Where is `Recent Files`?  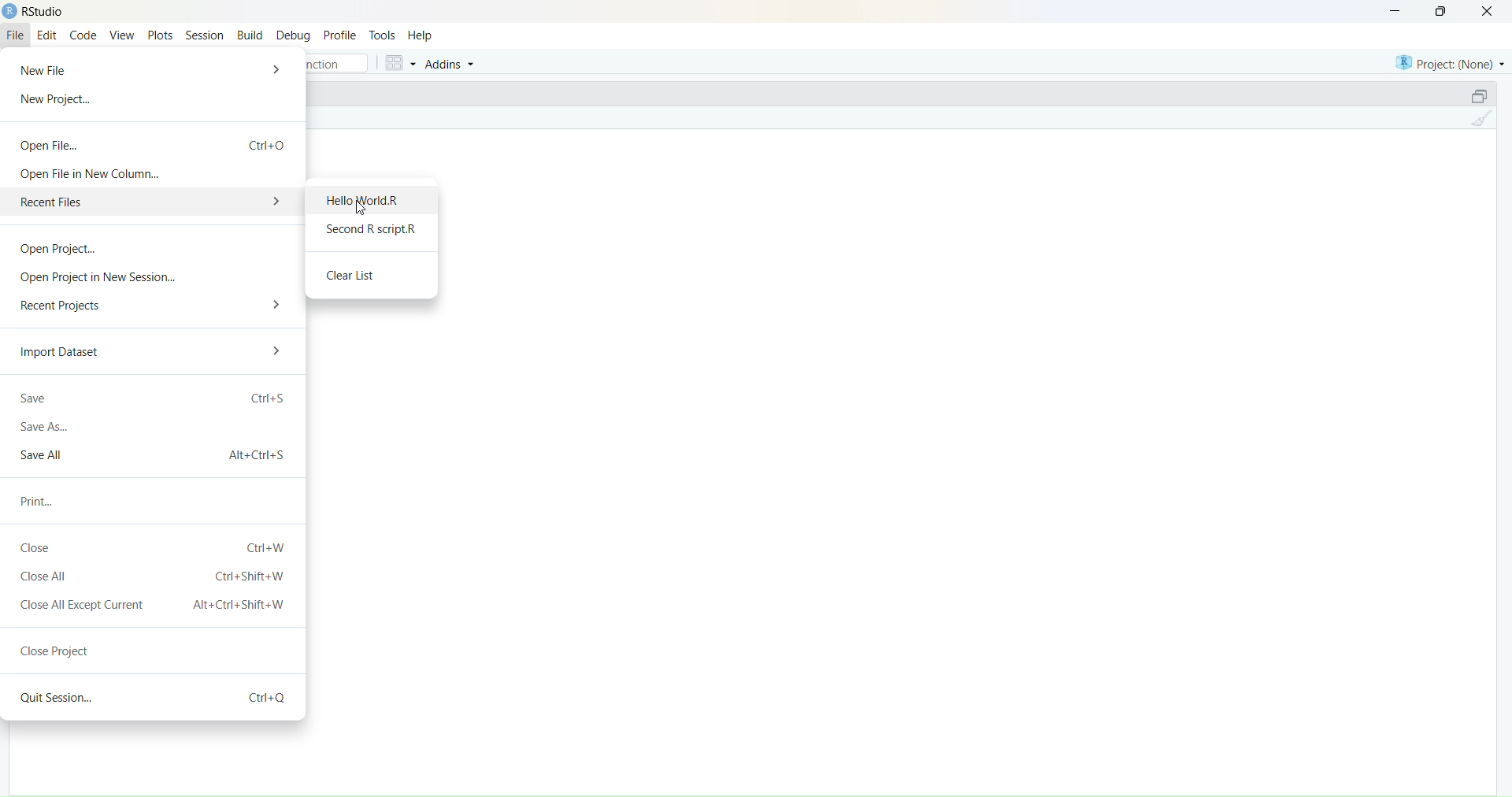
Recent Files is located at coordinates (131, 201).